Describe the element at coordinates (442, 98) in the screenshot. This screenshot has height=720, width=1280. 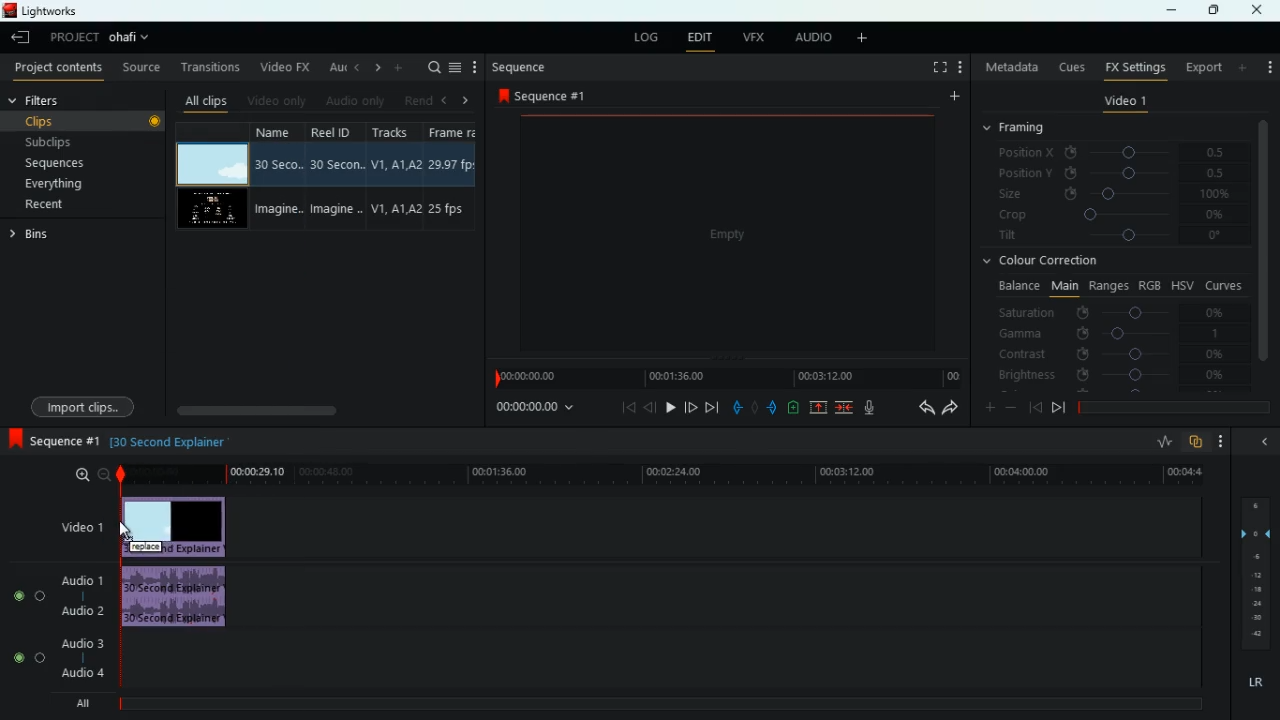
I see `left` at that location.